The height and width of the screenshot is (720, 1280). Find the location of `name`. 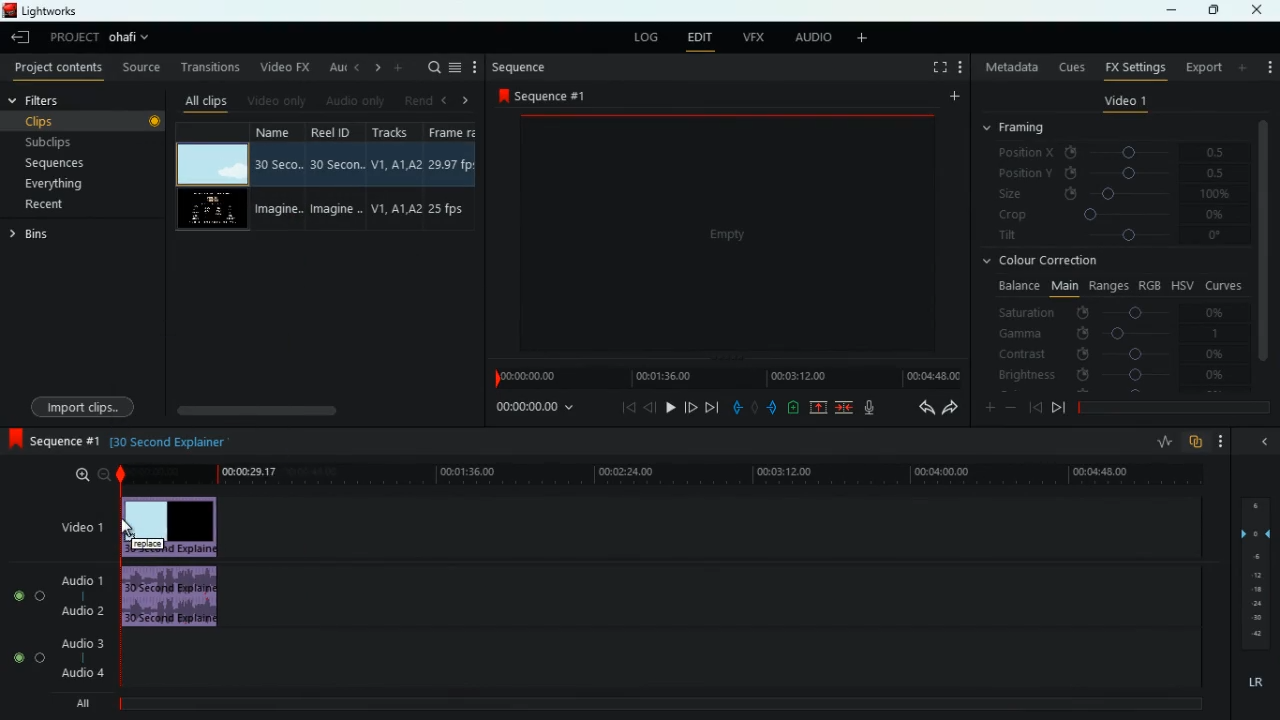

name is located at coordinates (281, 134).